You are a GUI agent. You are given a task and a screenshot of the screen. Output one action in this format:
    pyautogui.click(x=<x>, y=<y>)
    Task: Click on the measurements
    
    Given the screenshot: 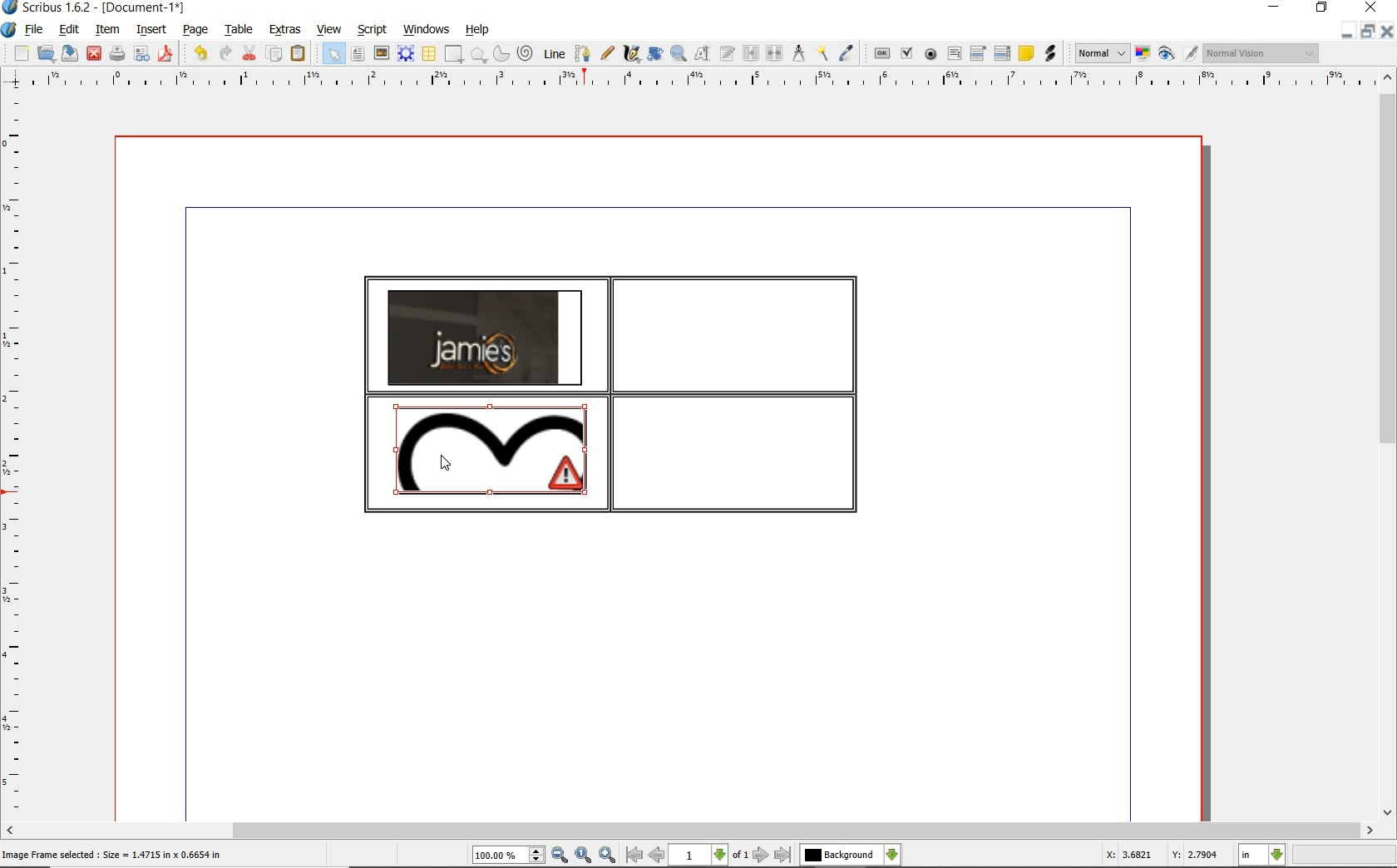 What is the action you would take?
    pyautogui.click(x=799, y=53)
    